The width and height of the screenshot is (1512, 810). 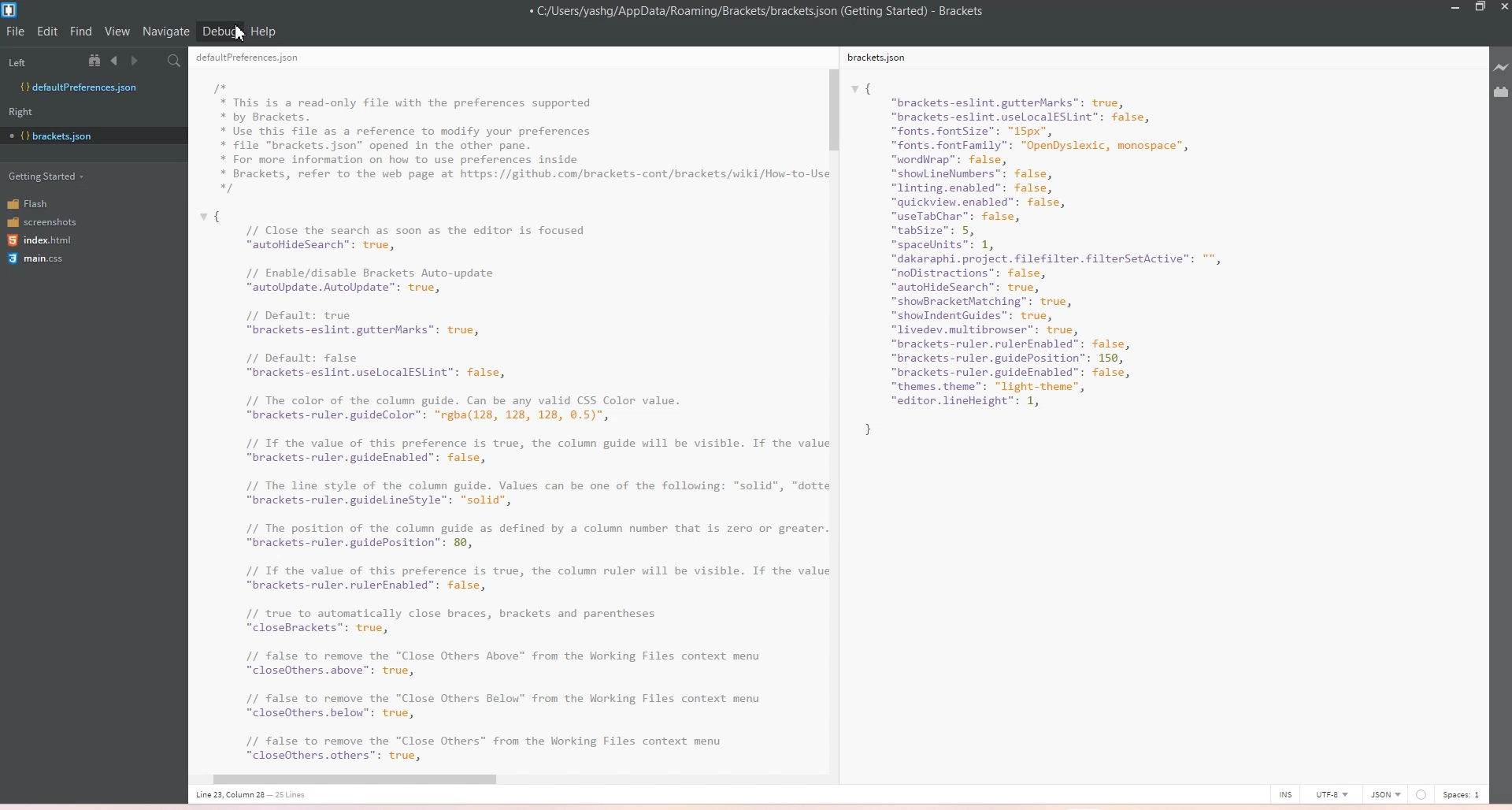 I want to click on Line 23, Column 27 - 25 Lines, so click(x=257, y=795).